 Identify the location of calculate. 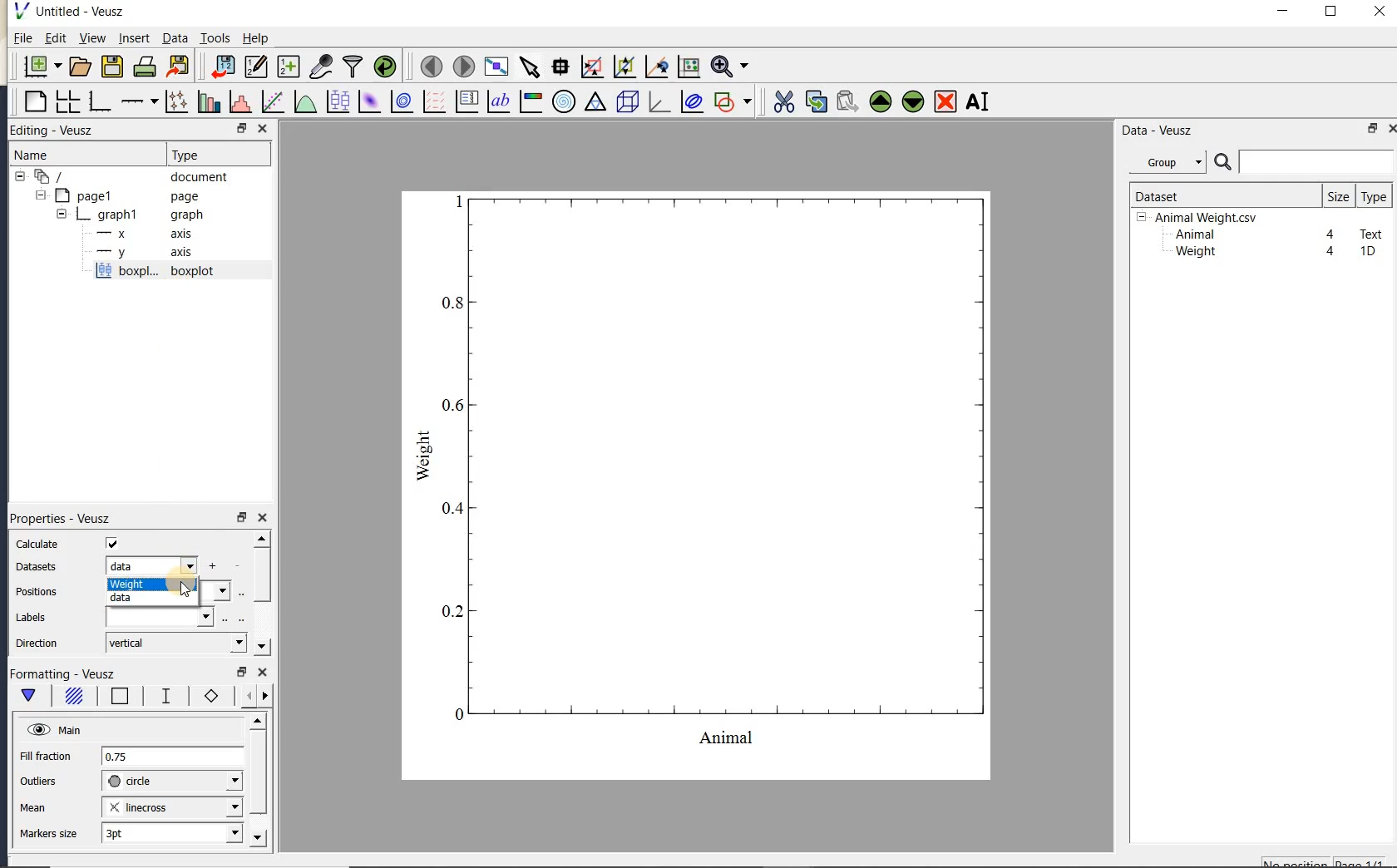
(38, 545).